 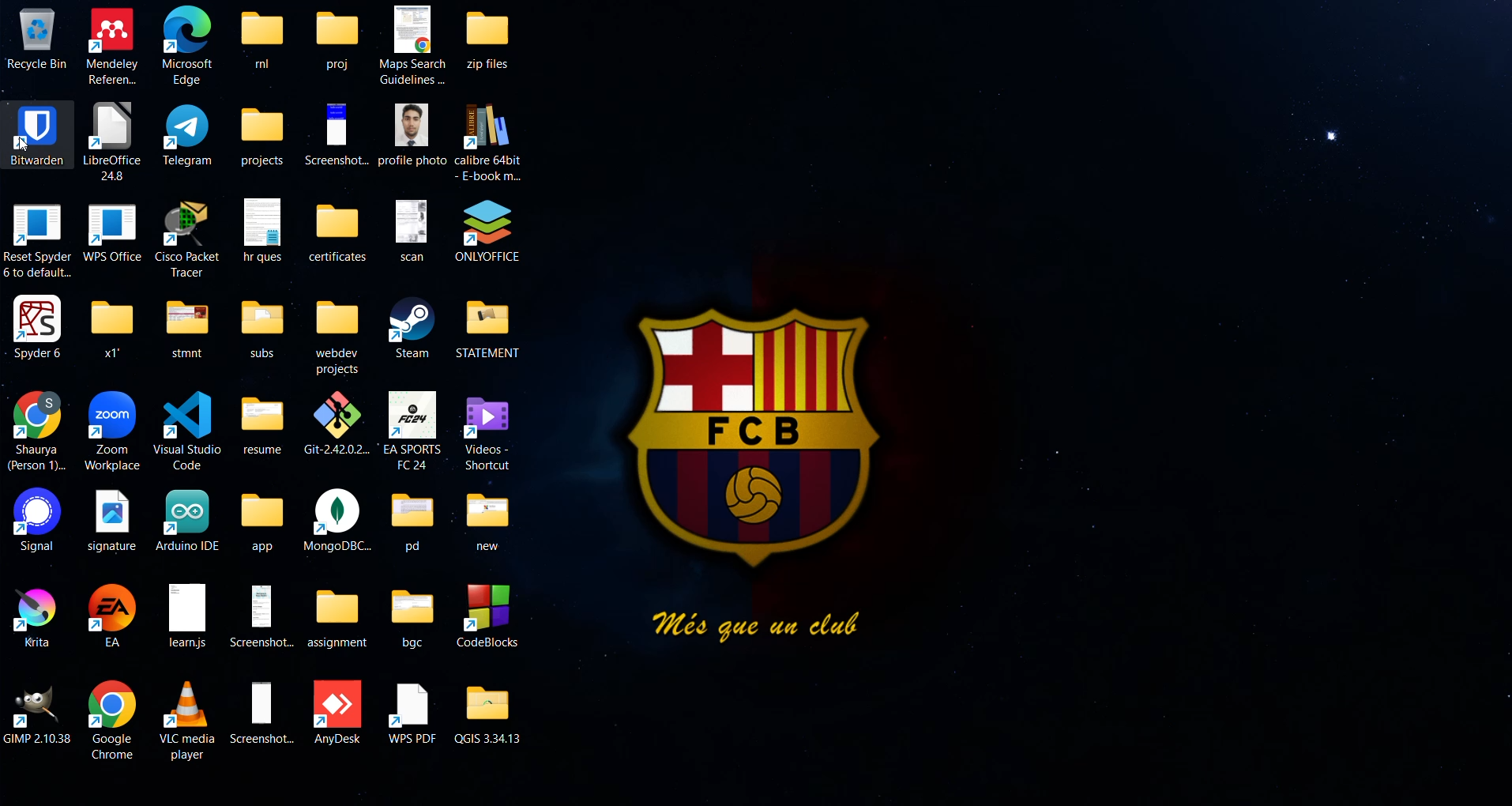 What do you see at coordinates (190, 718) in the screenshot?
I see `VLC media player` at bounding box center [190, 718].